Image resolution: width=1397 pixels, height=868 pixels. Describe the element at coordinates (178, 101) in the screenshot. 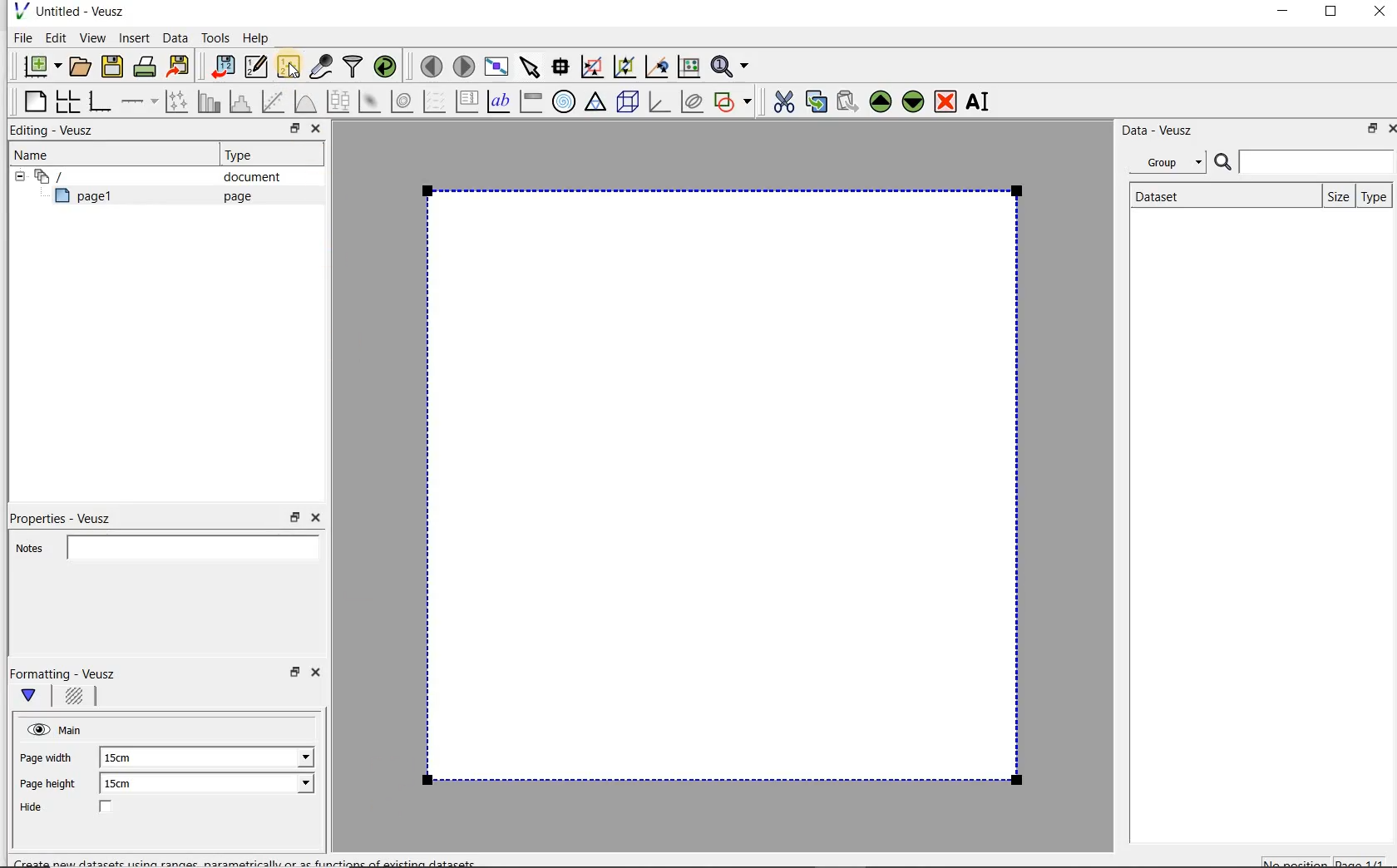

I see `Plot points with lines and error bars` at that location.